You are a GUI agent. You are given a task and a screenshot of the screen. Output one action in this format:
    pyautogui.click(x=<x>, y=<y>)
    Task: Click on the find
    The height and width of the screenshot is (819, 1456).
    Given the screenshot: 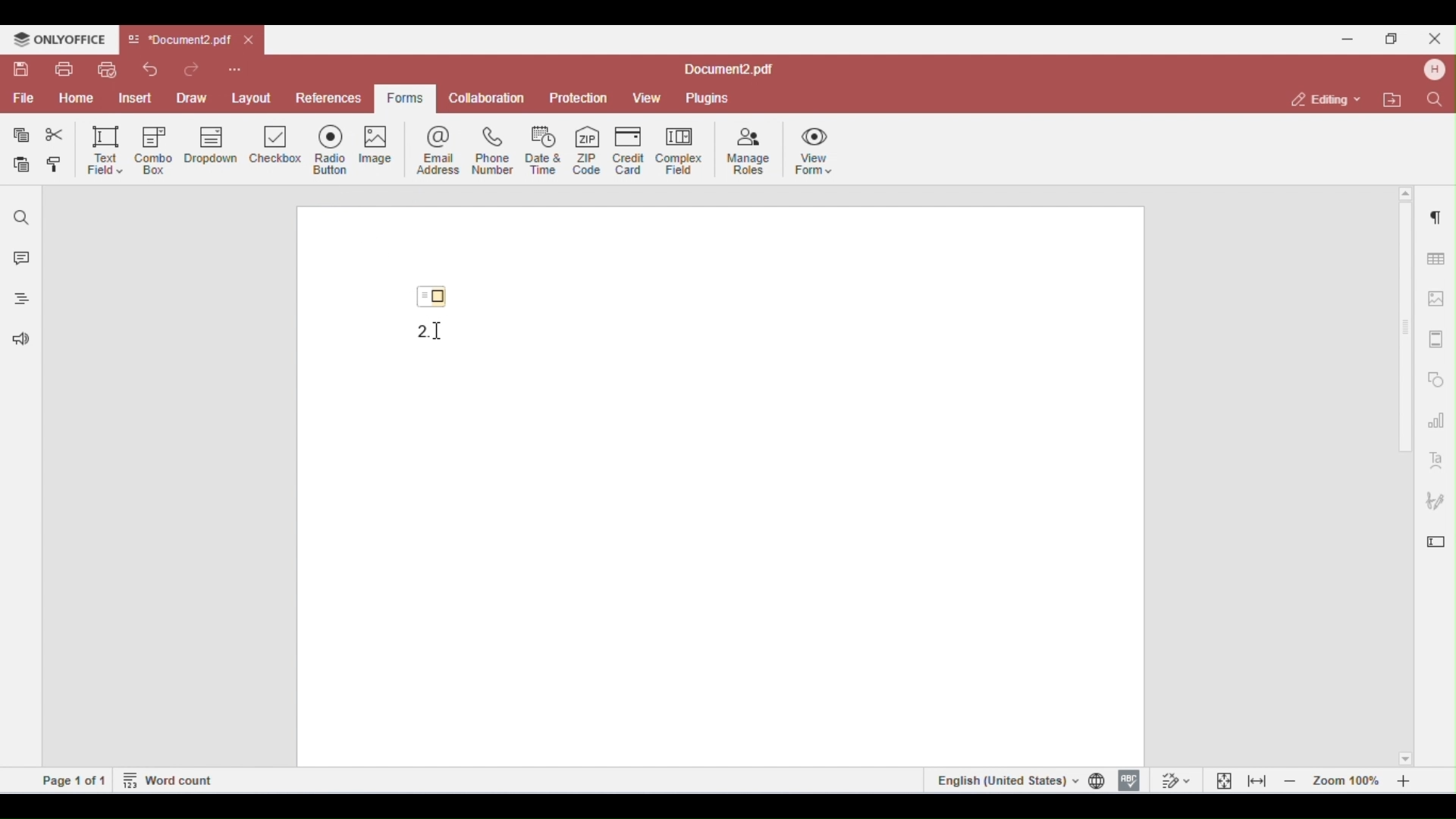 What is the action you would take?
    pyautogui.click(x=1433, y=99)
    